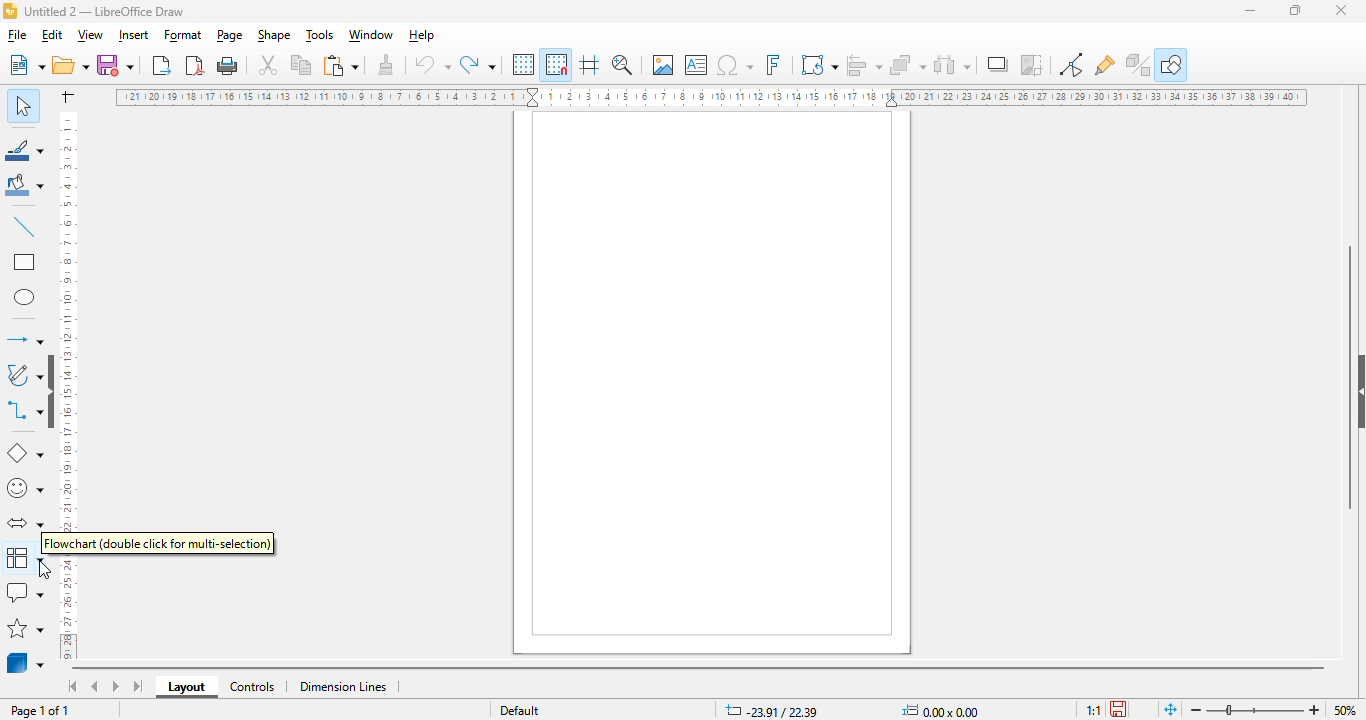 This screenshot has width=1366, height=720. What do you see at coordinates (25, 411) in the screenshot?
I see `connectors` at bounding box center [25, 411].